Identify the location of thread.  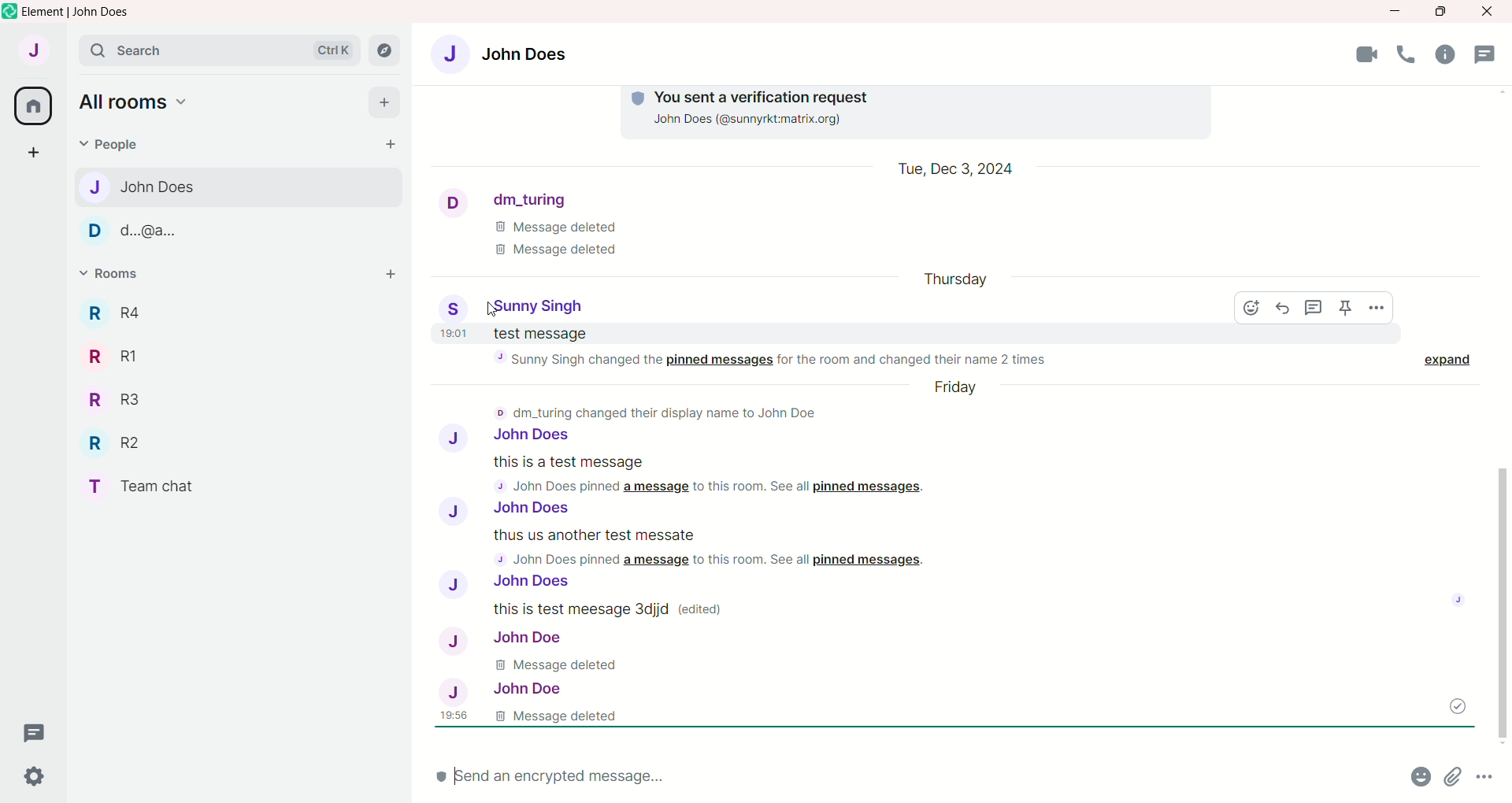
(35, 733).